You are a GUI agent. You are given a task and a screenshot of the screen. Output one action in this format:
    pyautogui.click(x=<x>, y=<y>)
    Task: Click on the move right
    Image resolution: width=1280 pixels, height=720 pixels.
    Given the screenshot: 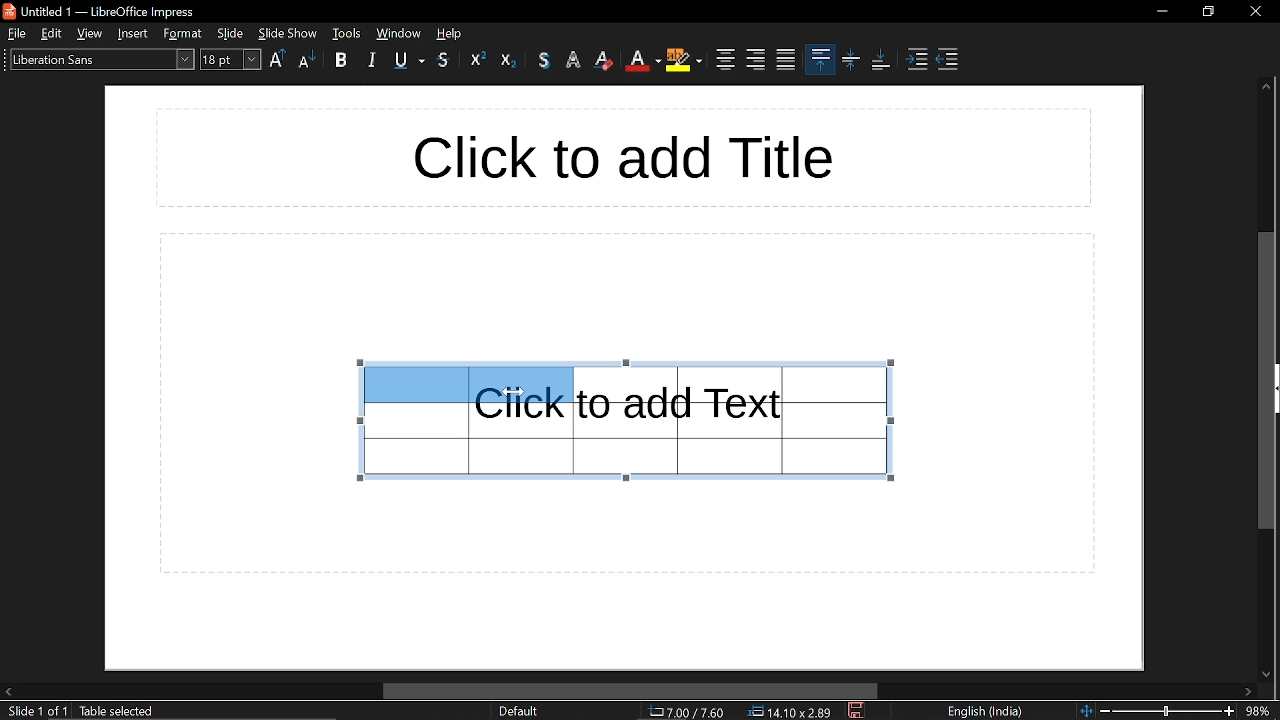 What is the action you would take?
    pyautogui.click(x=1250, y=692)
    